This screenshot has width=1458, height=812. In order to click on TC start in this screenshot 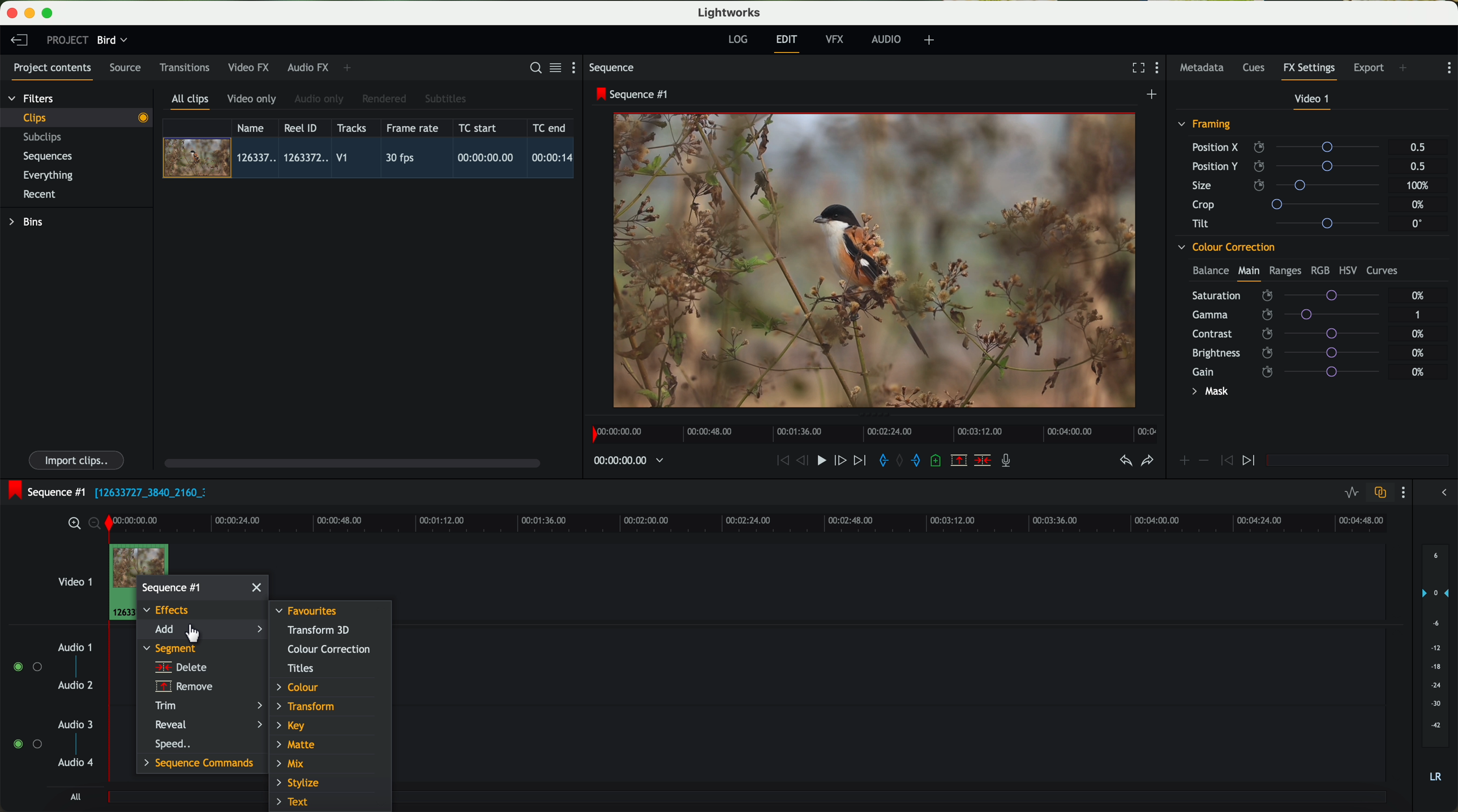, I will do `click(479, 127)`.